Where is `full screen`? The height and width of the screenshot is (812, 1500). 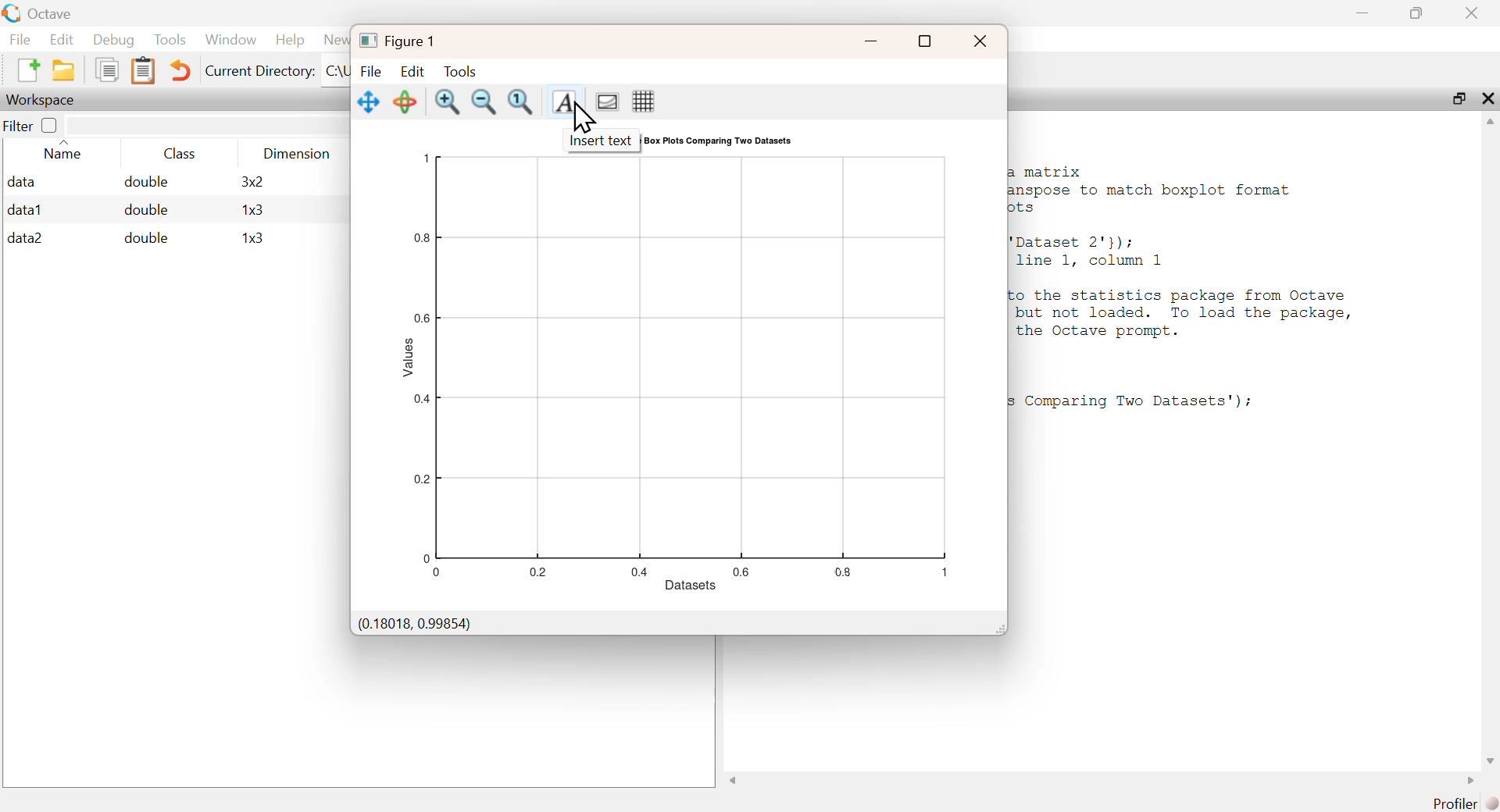 full screen is located at coordinates (925, 40).